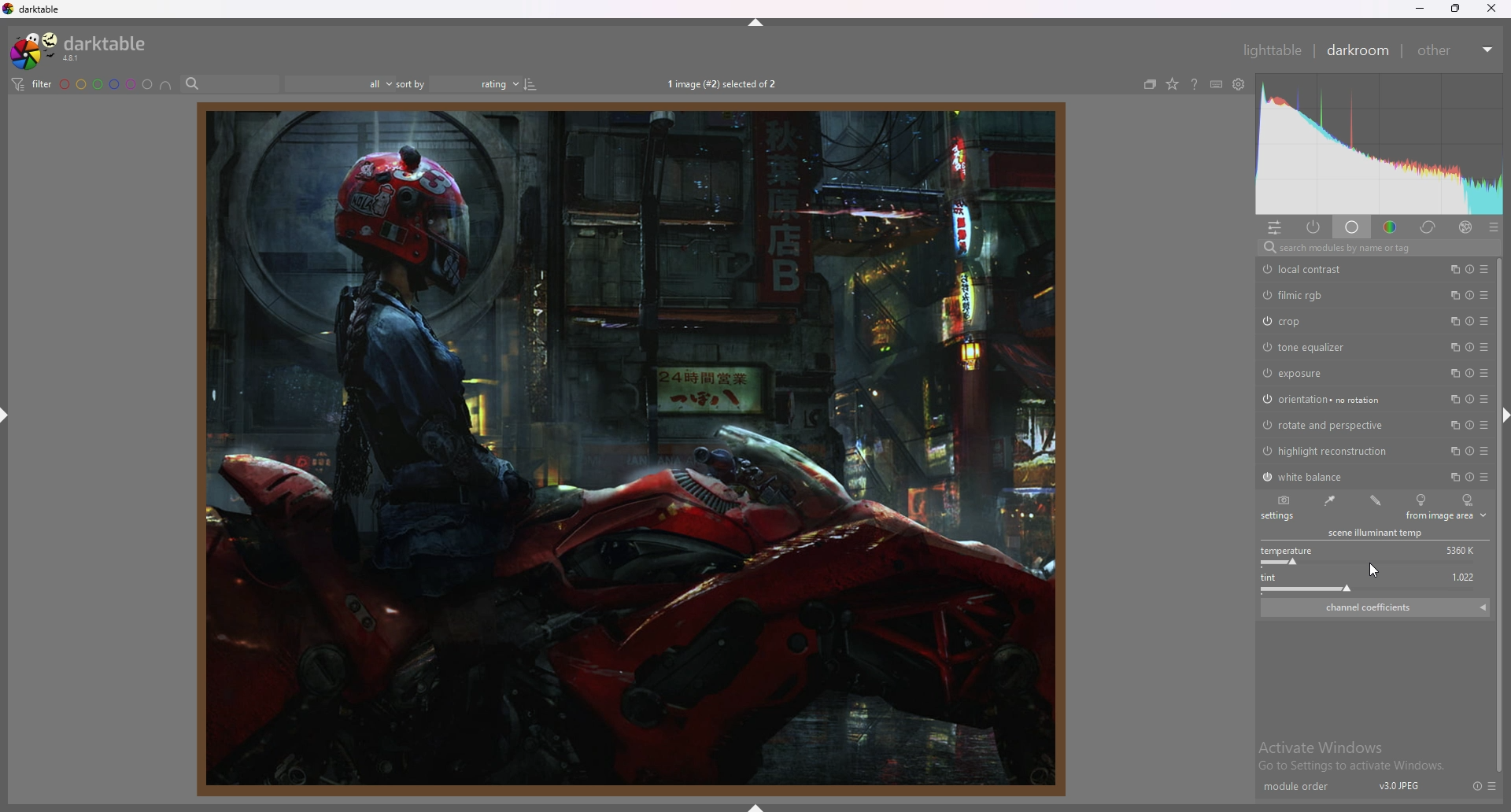  What do you see at coordinates (1469, 374) in the screenshot?
I see `reset` at bounding box center [1469, 374].